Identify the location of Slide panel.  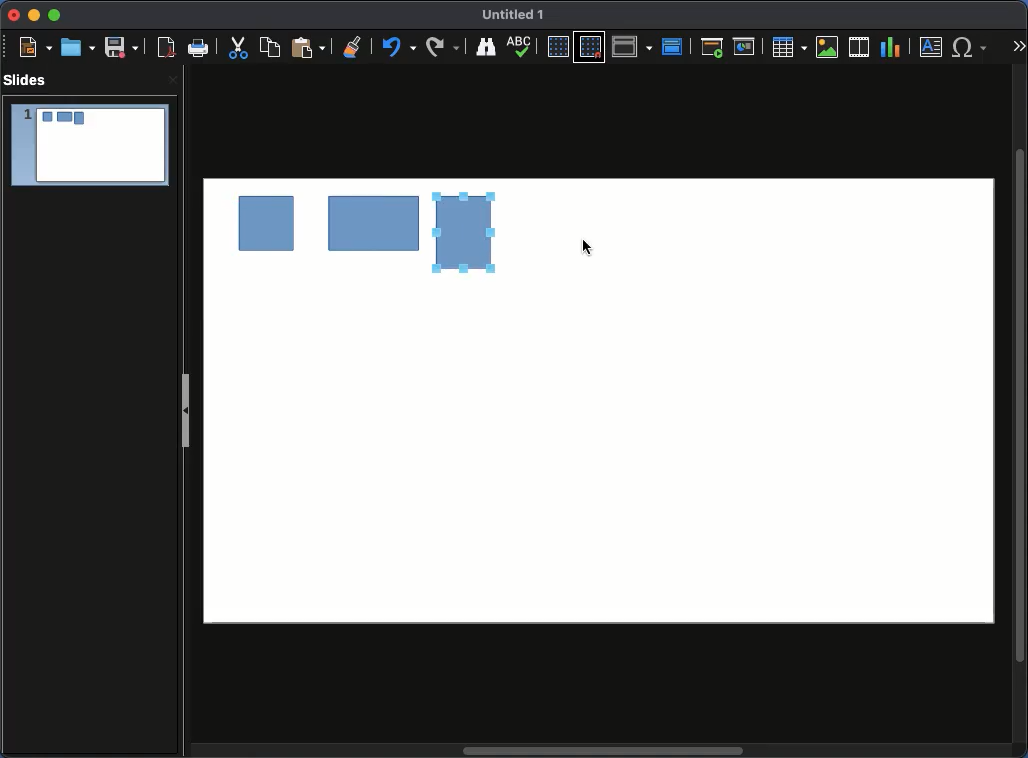
(186, 414).